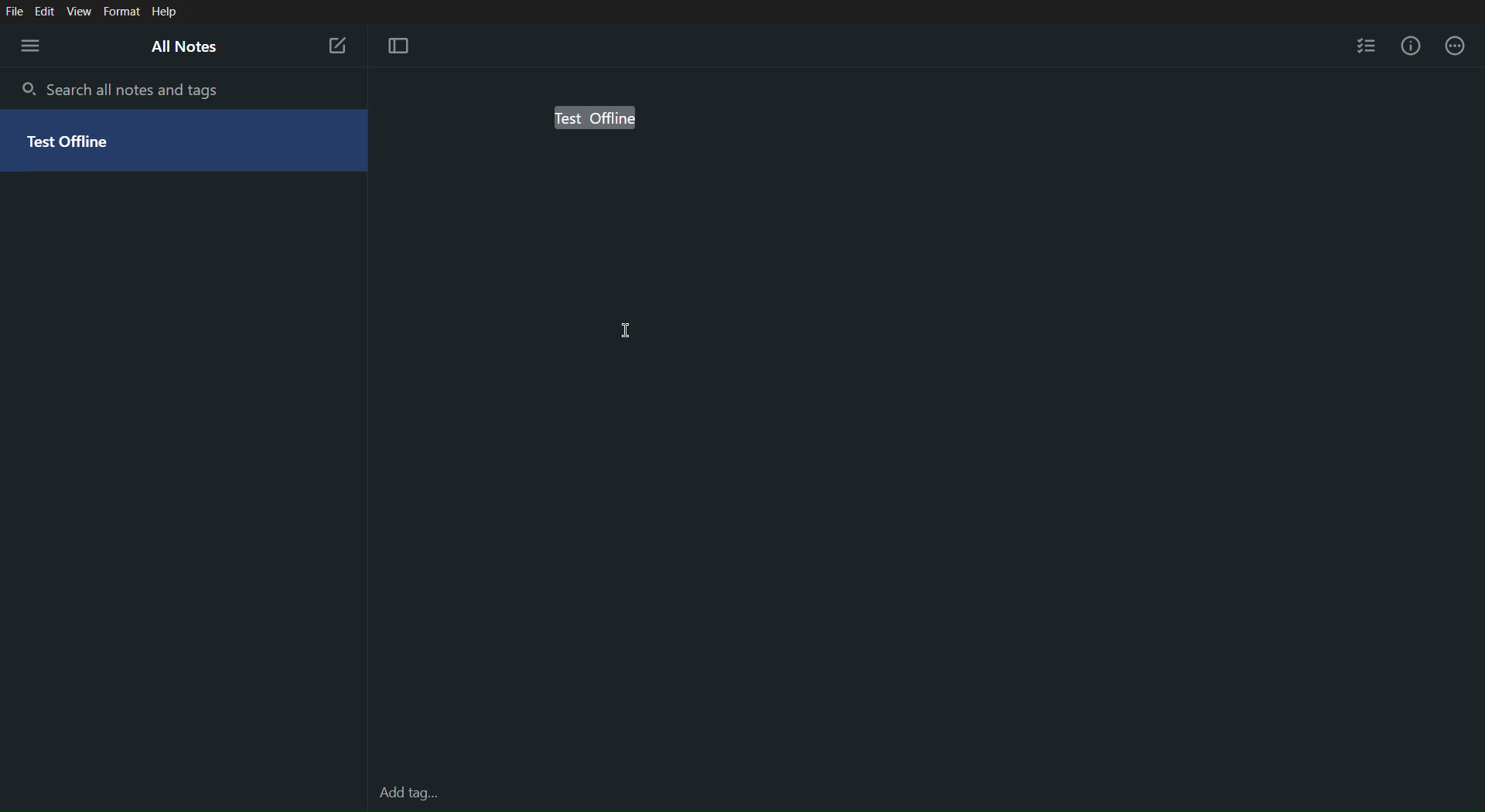 This screenshot has width=1485, height=812. I want to click on Info, so click(1411, 48).